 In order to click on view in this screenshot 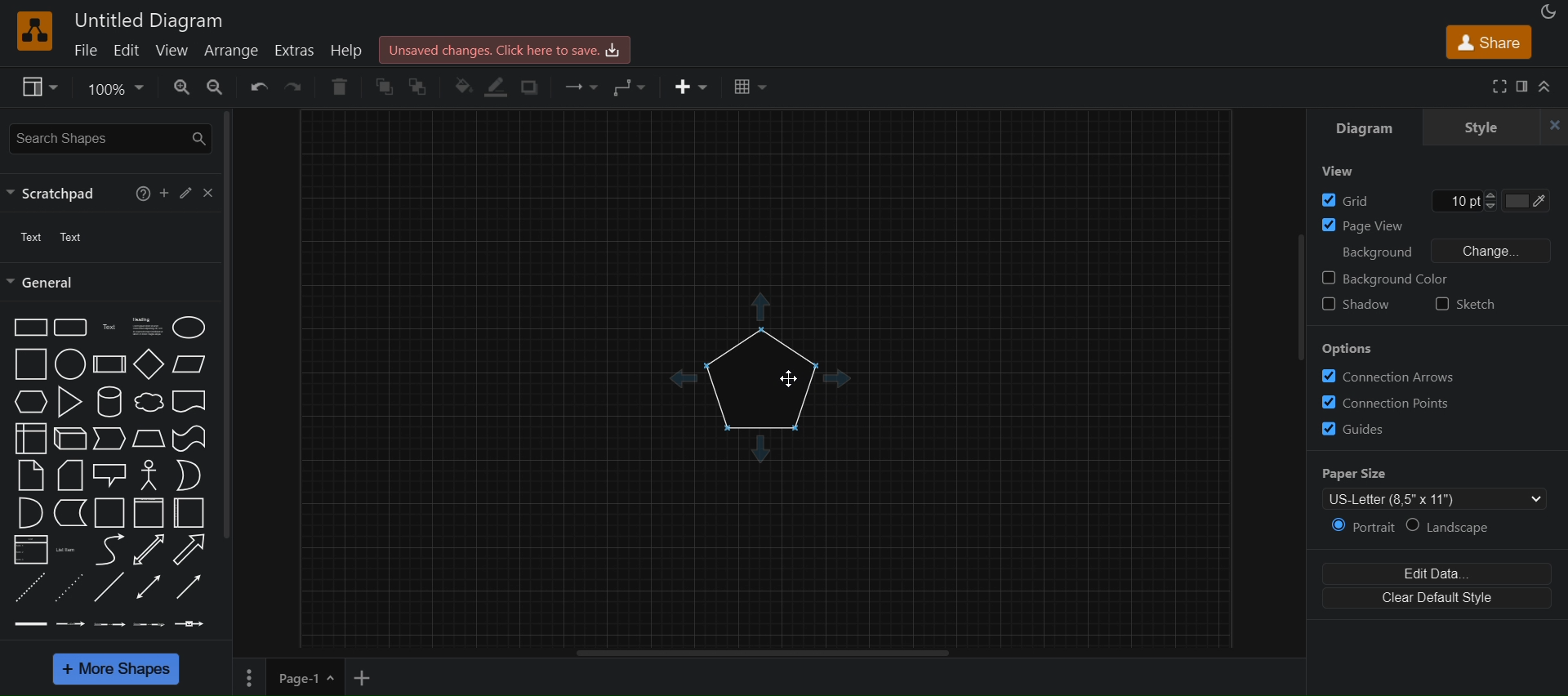, I will do `click(40, 87)`.